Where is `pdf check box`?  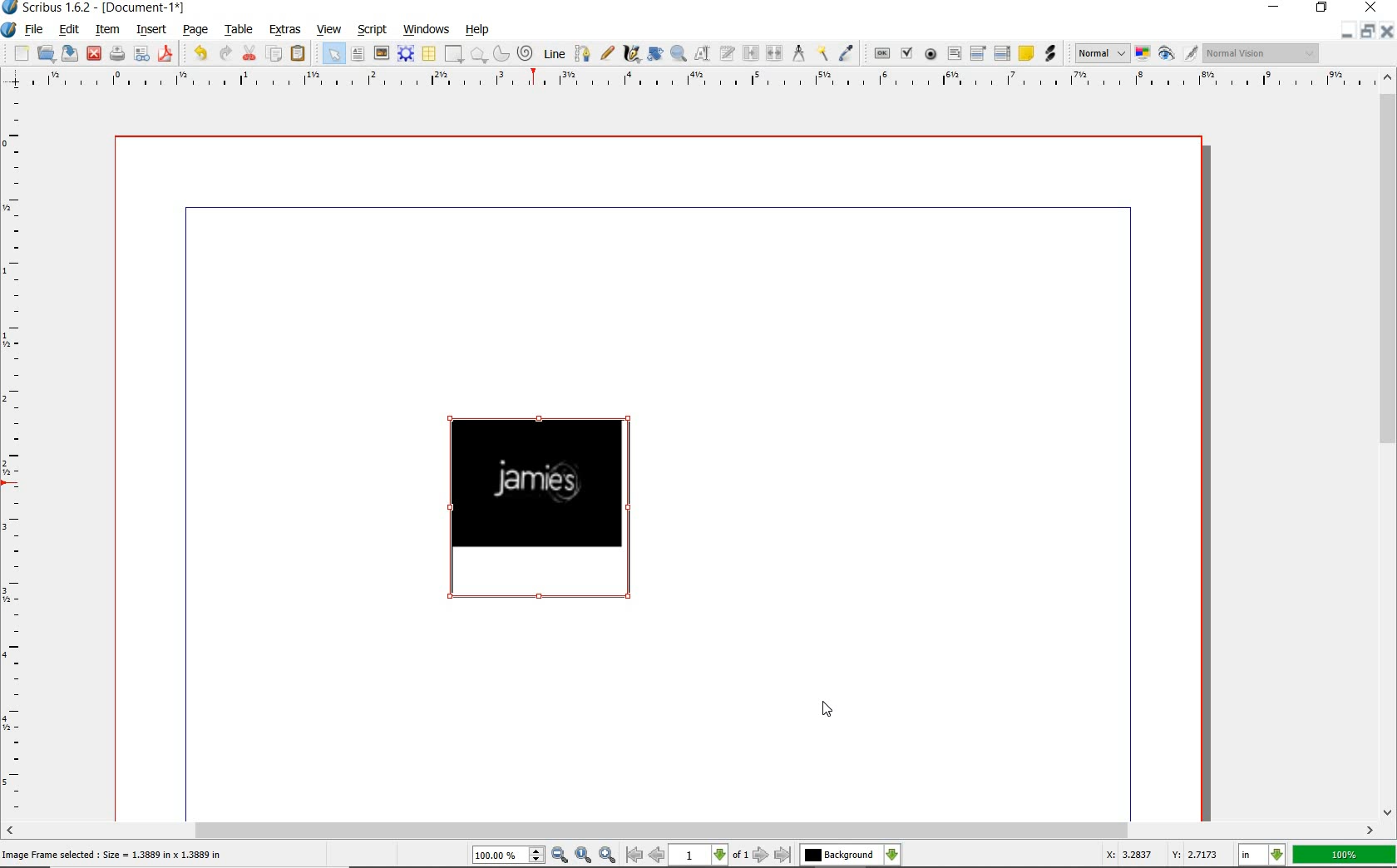 pdf check box is located at coordinates (906, 53).